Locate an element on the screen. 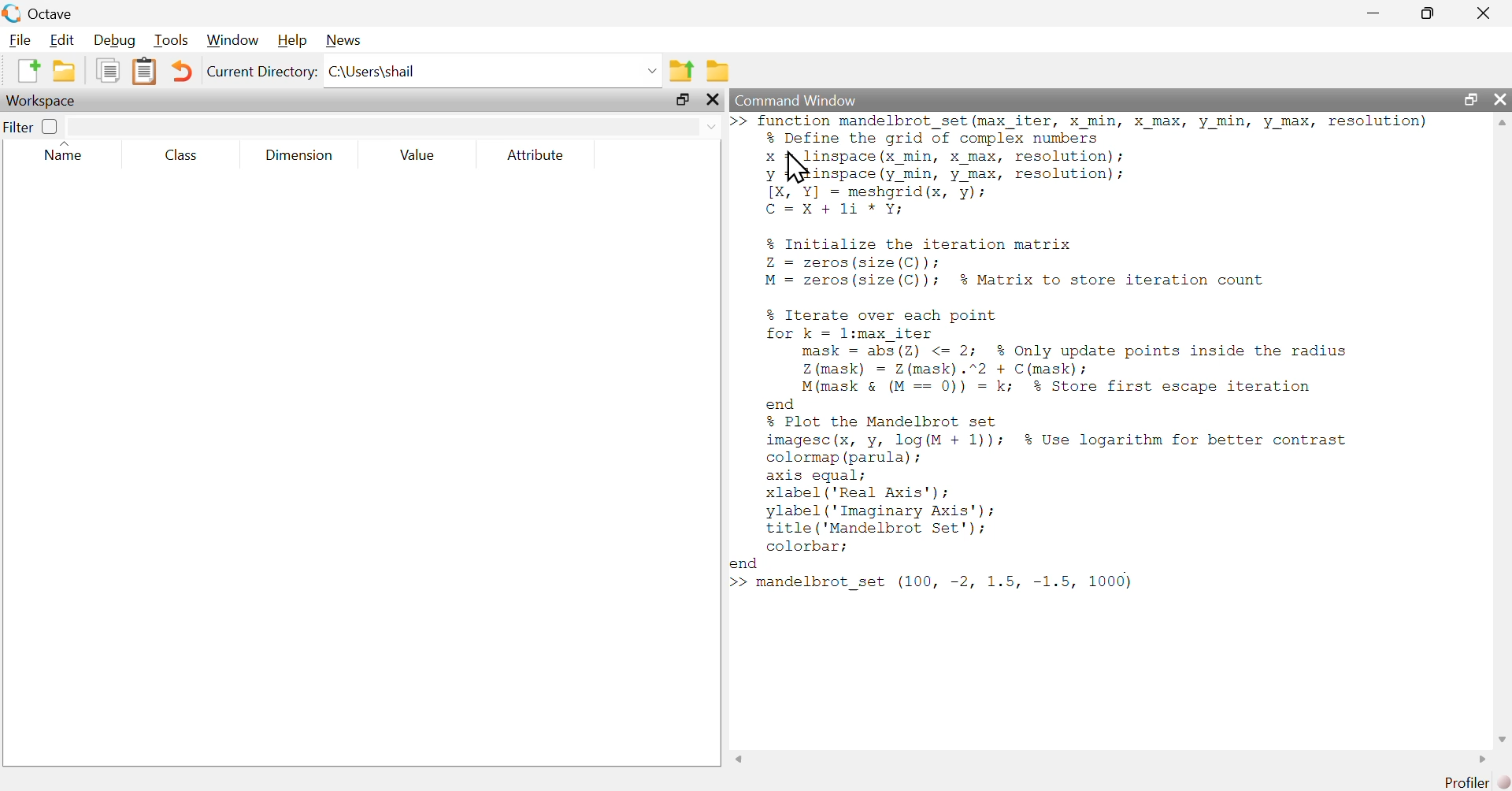 This screenshot has height=791, width=1512. News is located at coordinates (343, 41).